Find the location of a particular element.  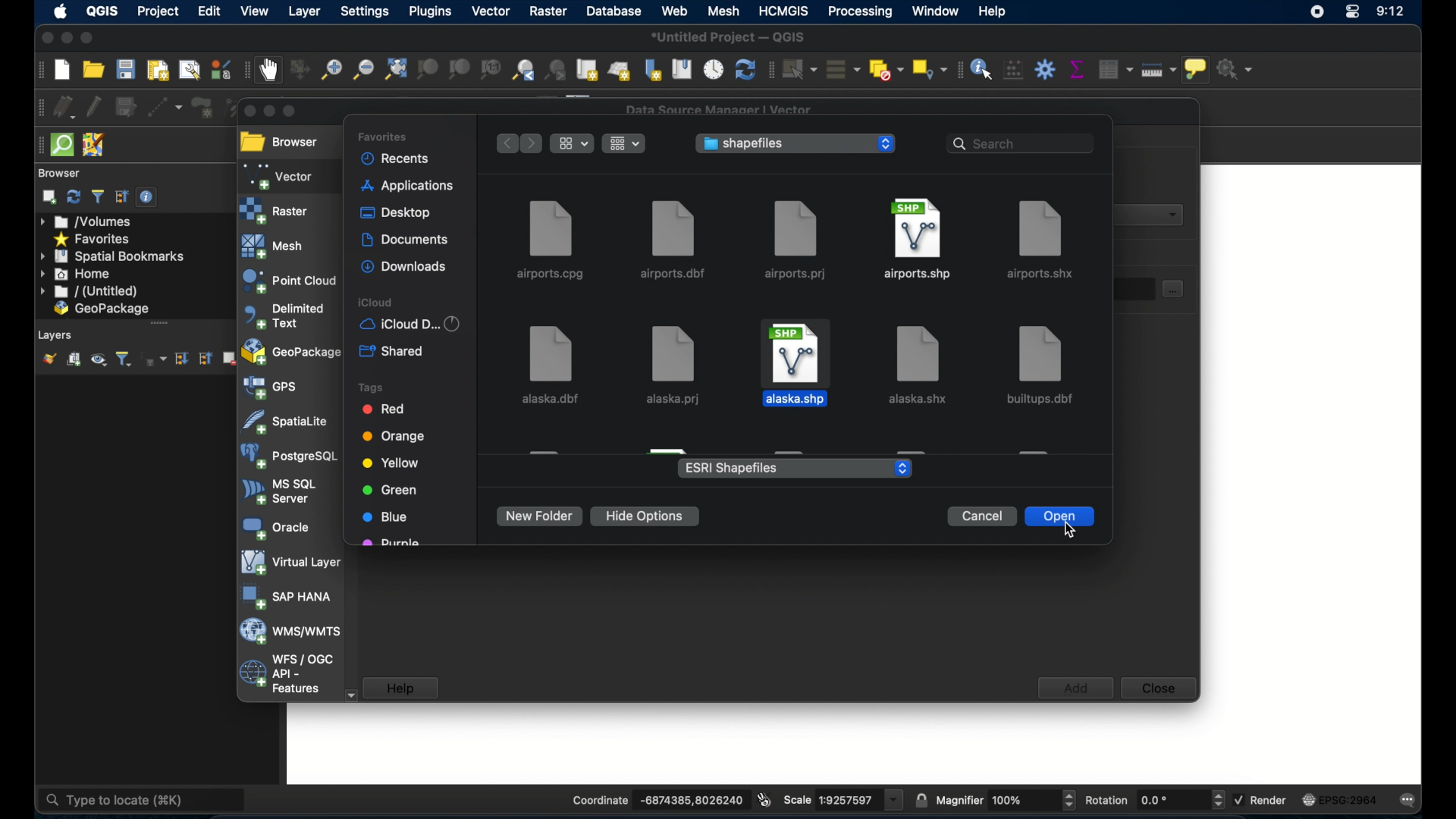

documents is located at coordinates (406, 240).